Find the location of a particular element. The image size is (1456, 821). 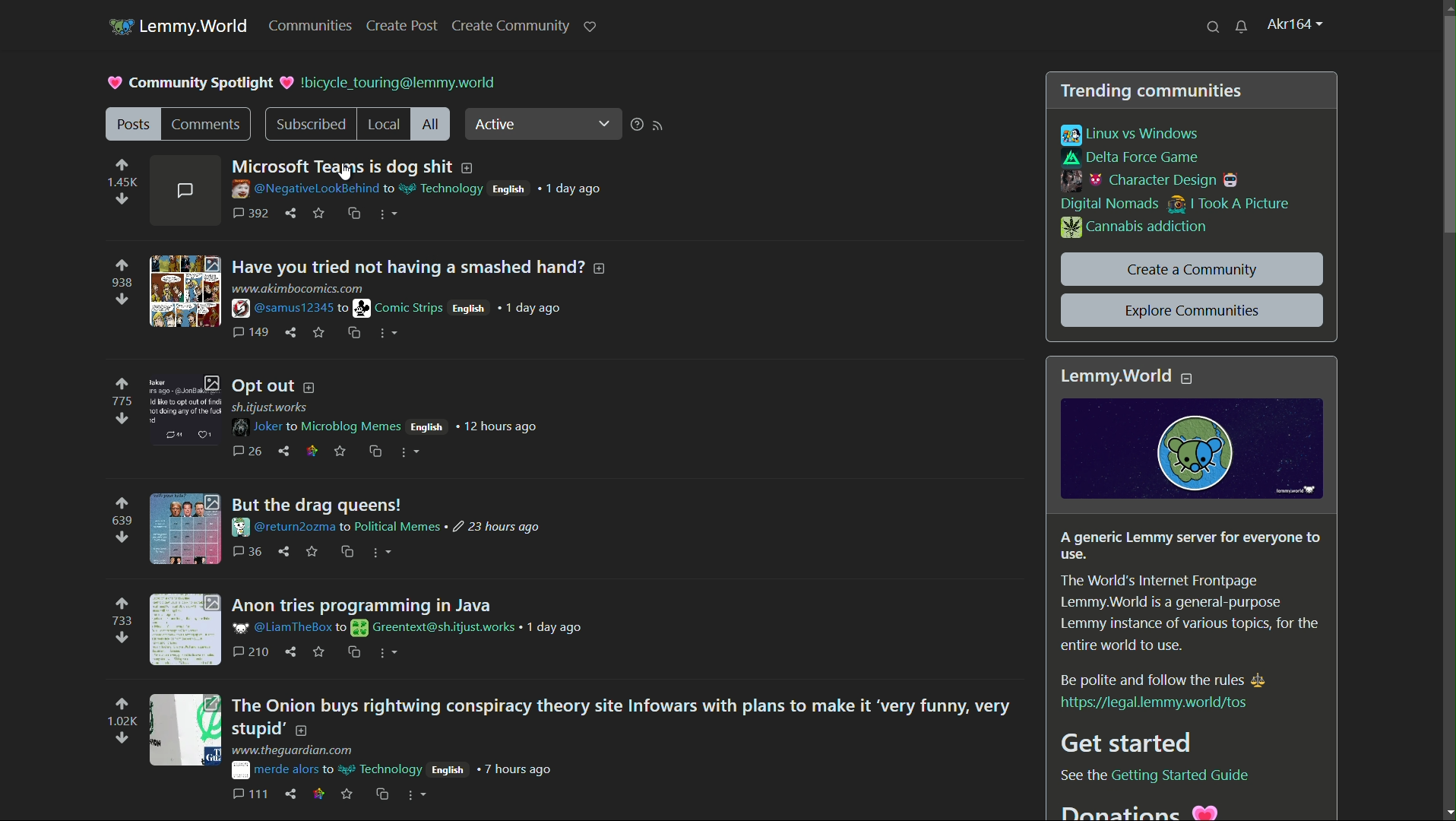

cs is located at coordinates (345, 553).